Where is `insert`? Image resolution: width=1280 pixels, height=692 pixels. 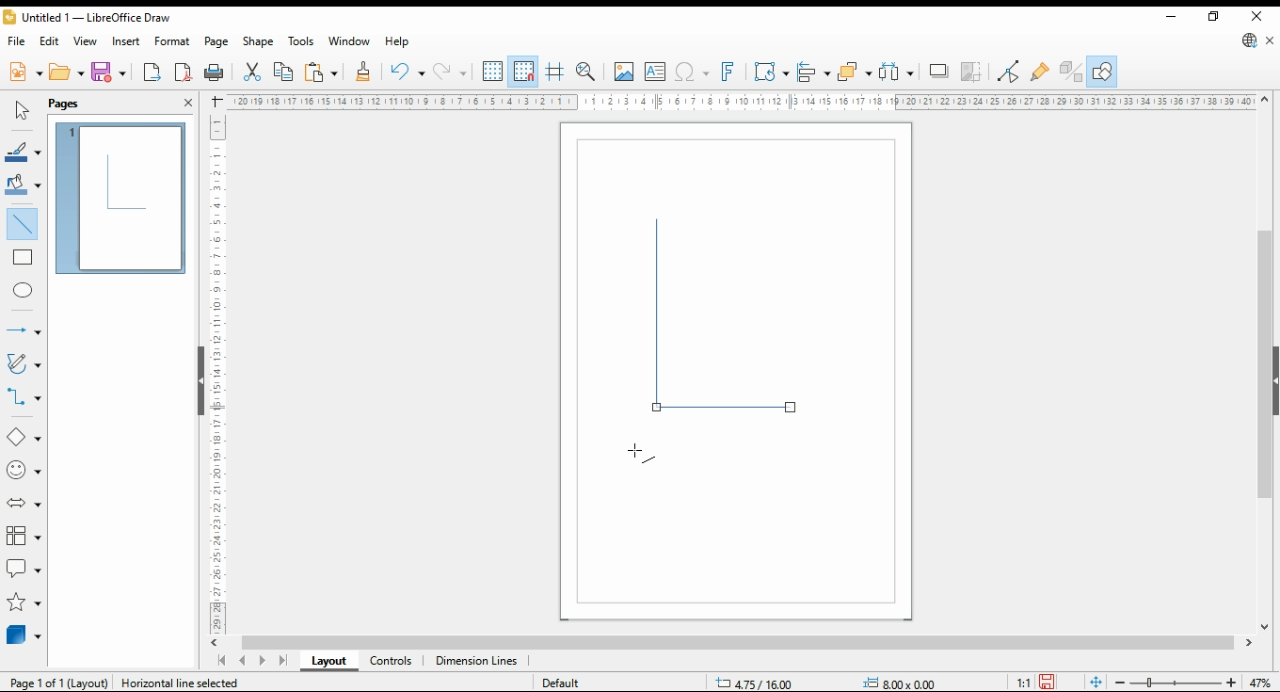 insert is located at coordinates (126, 41).